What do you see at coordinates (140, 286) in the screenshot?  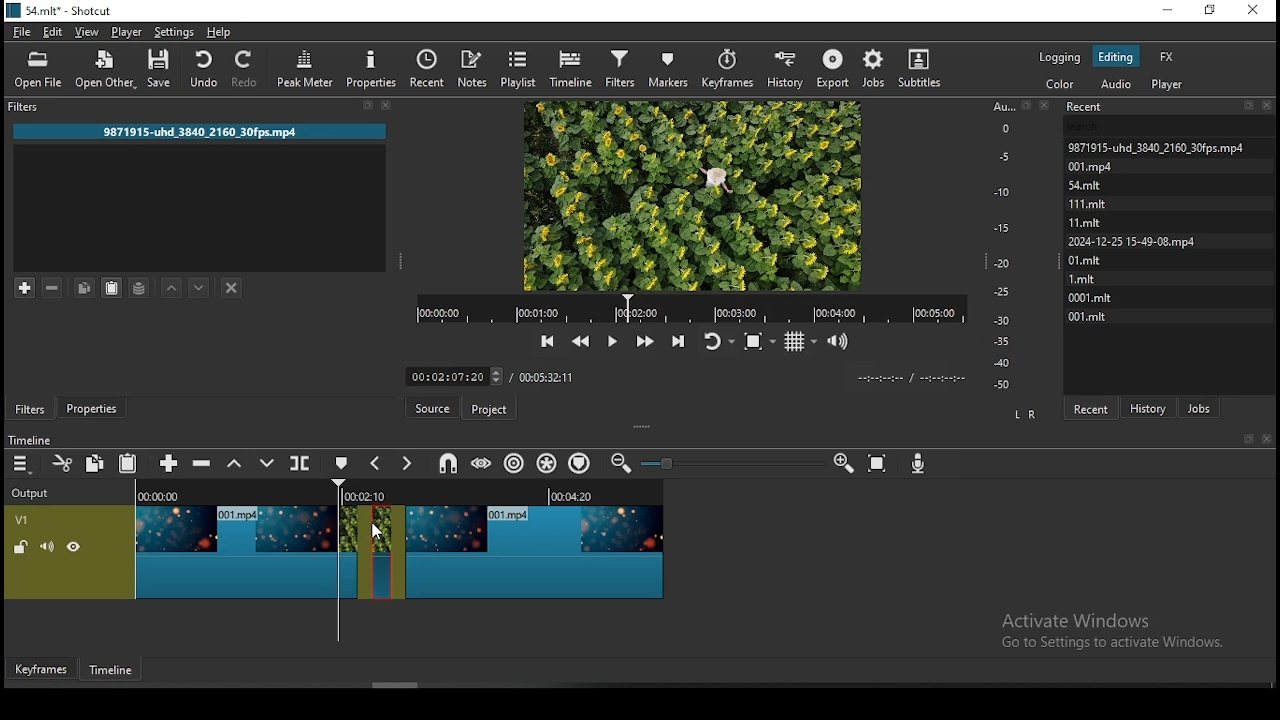 I see `save filter set` at bounding box center [140, 286].